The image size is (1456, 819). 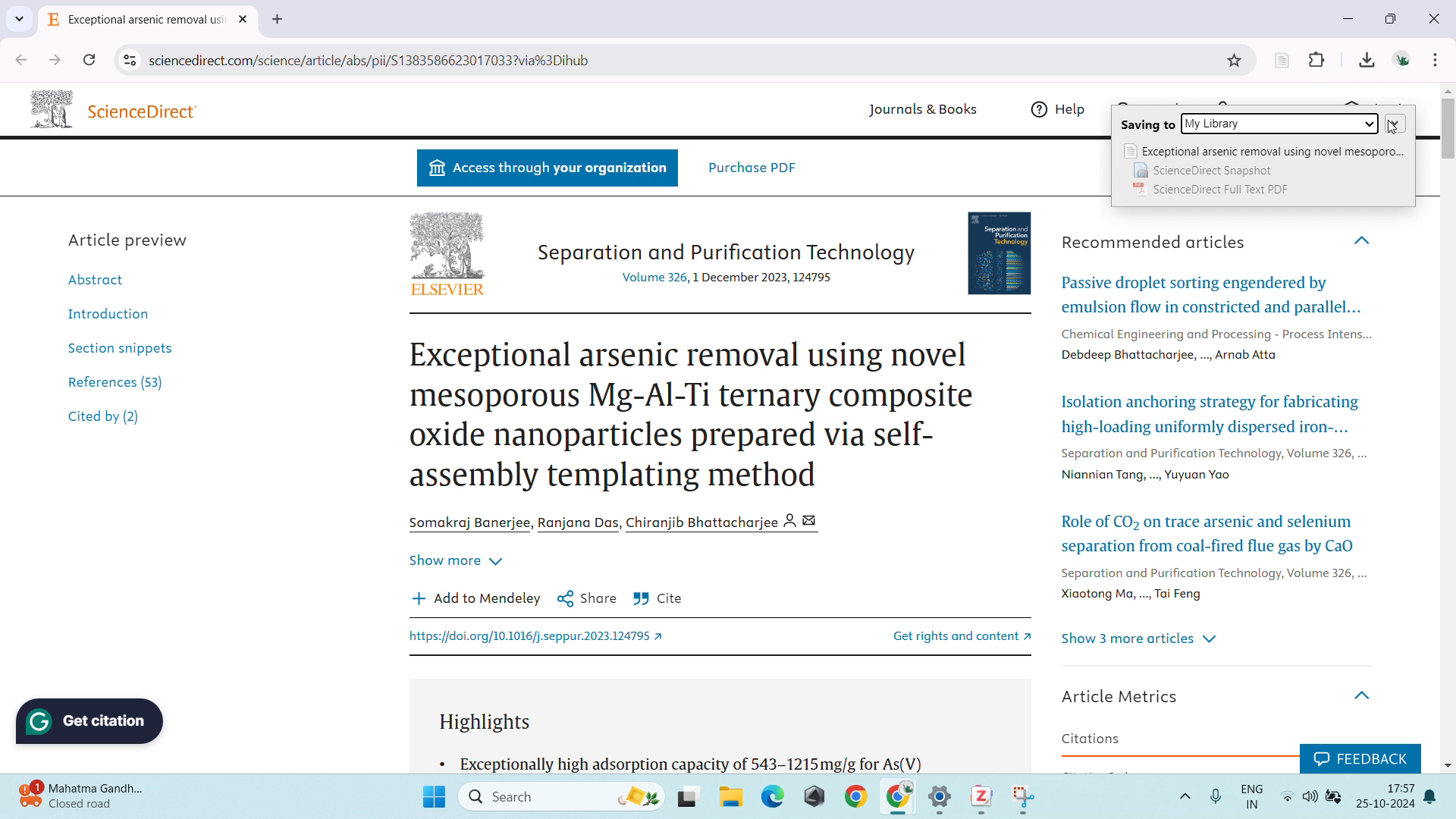 I want to click on bookmark this tab, so click(x=1235, y=61).